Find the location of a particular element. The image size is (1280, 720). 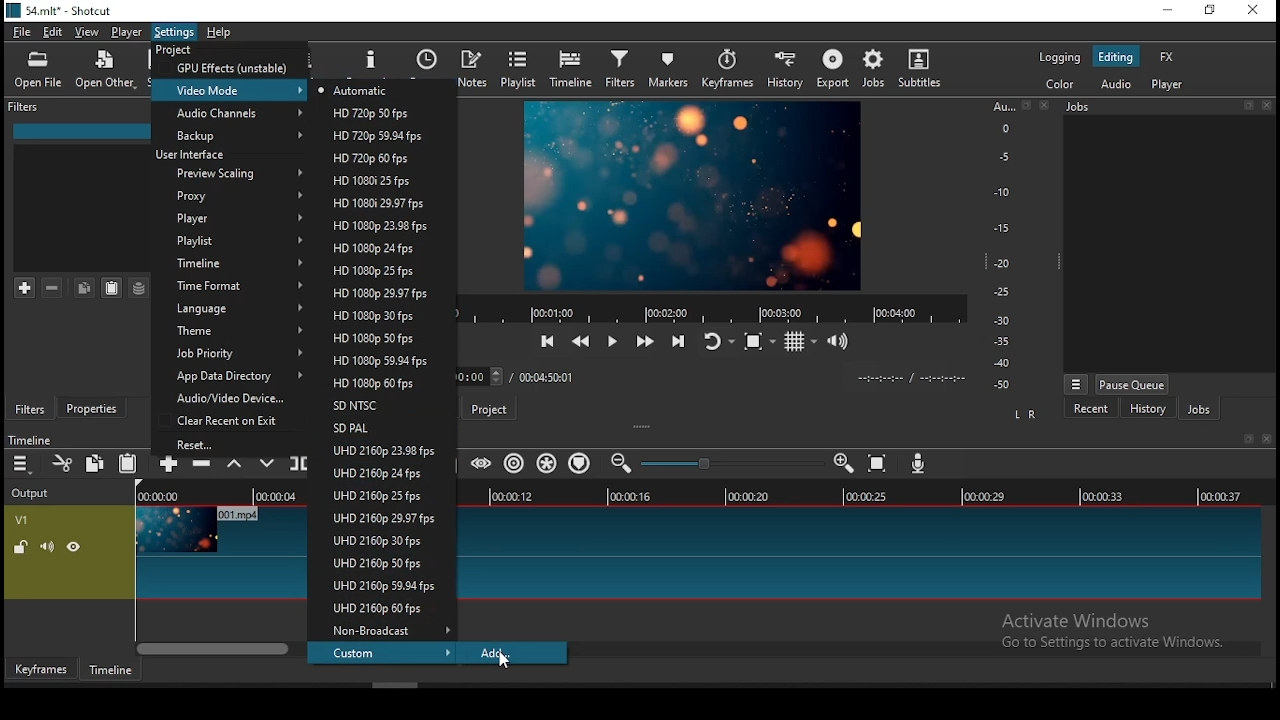

history is located at coordinates (781, 71).